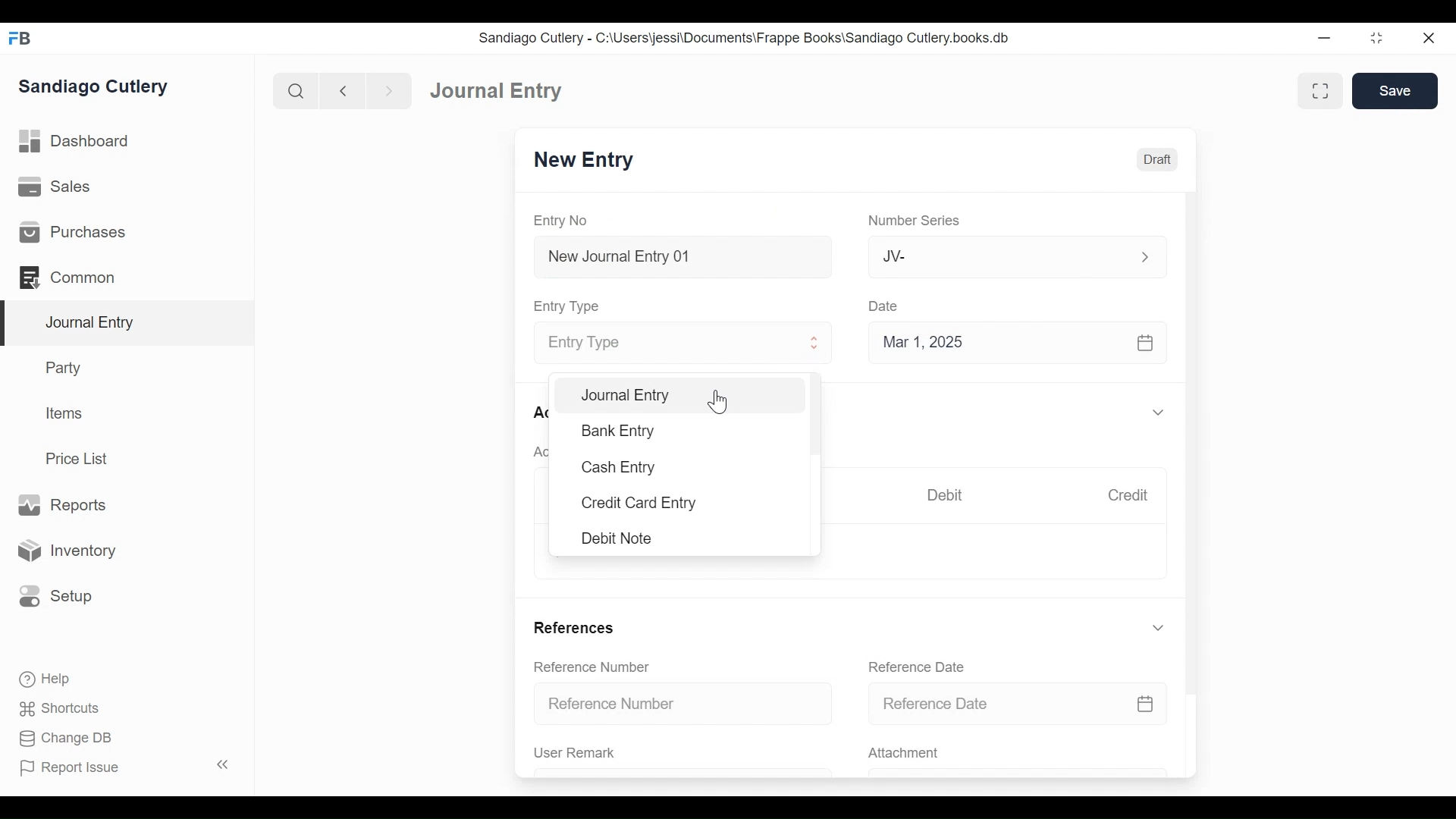  What do you see at coordinates (220, 764) in the screenshot?
I see `collapse sidebar` at bounding box center [220, 764].